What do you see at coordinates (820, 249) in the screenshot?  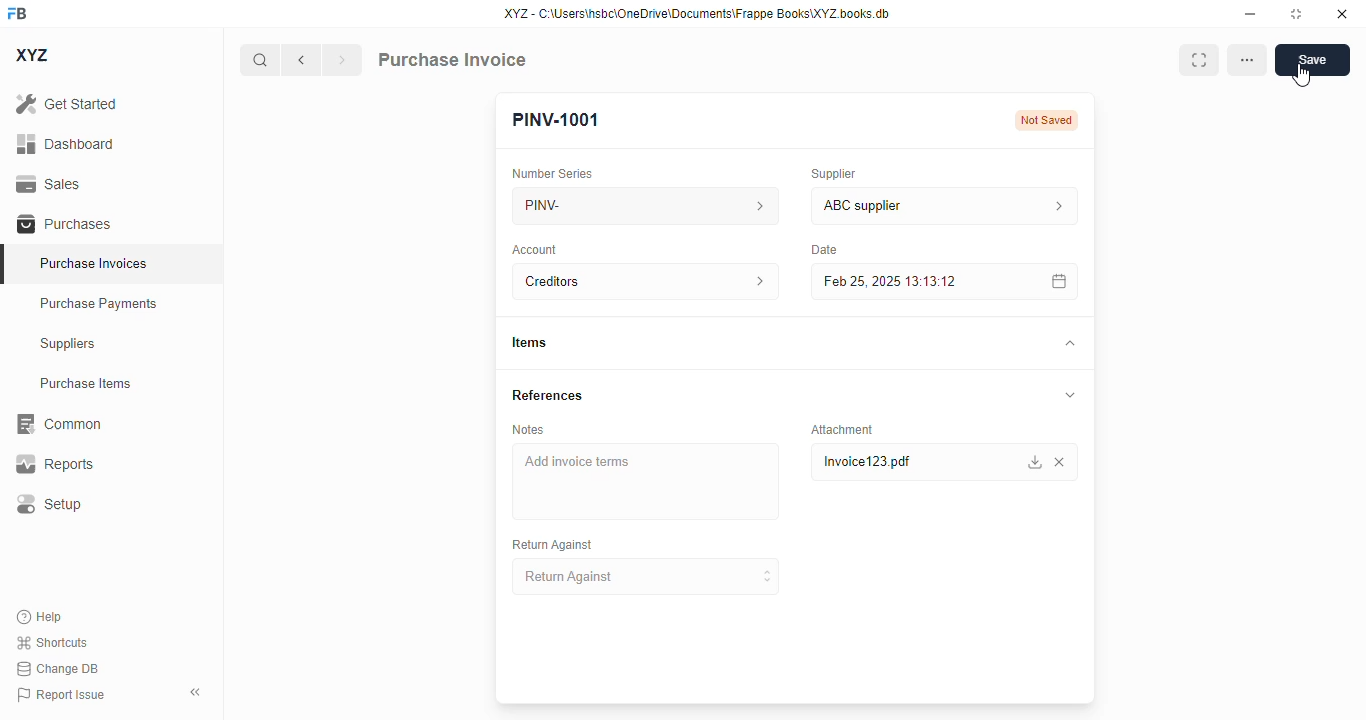 I see `date` at bounding box center [820, 249].